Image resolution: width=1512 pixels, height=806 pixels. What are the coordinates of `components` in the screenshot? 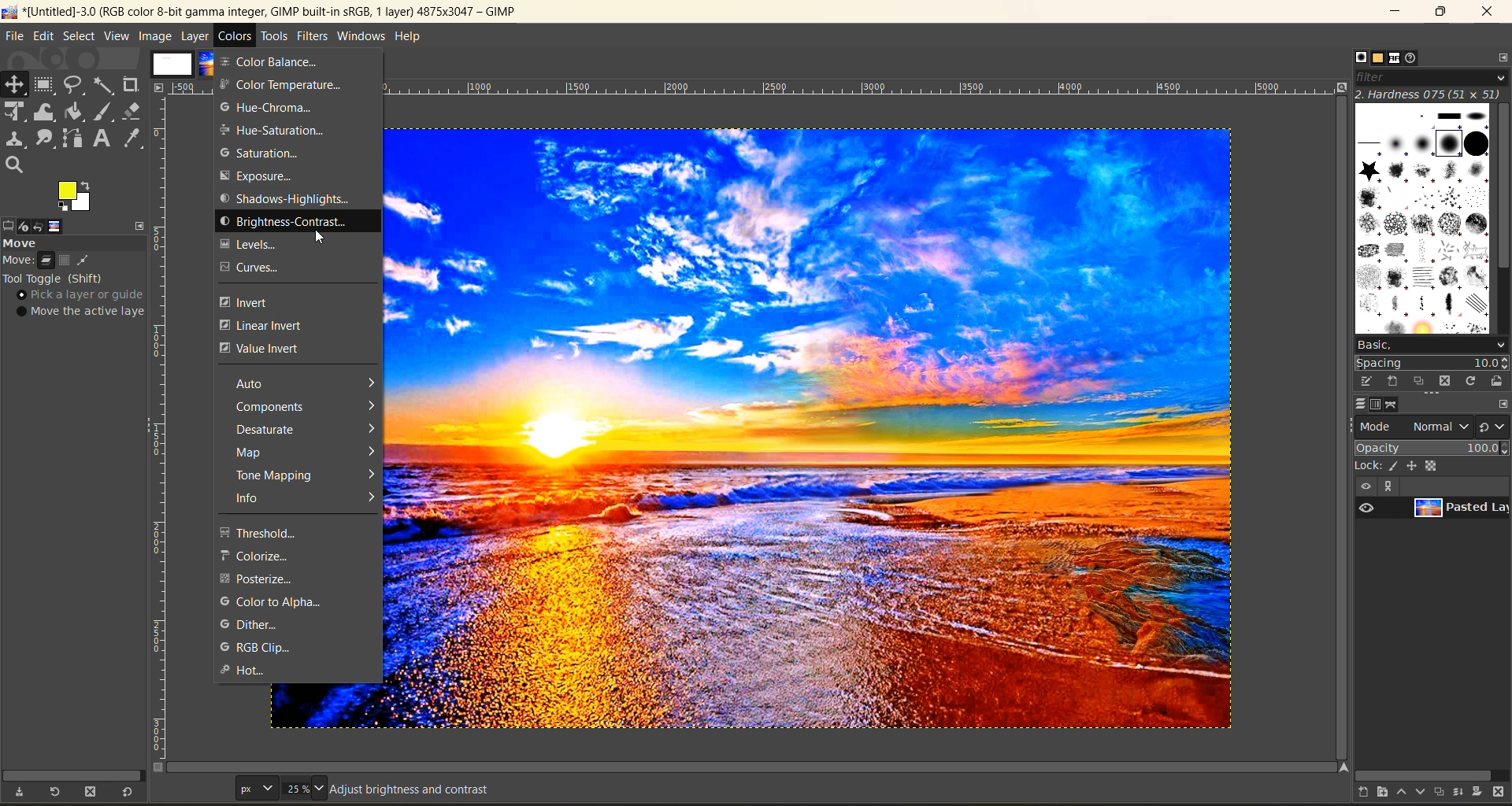 It's located at (306, 406).